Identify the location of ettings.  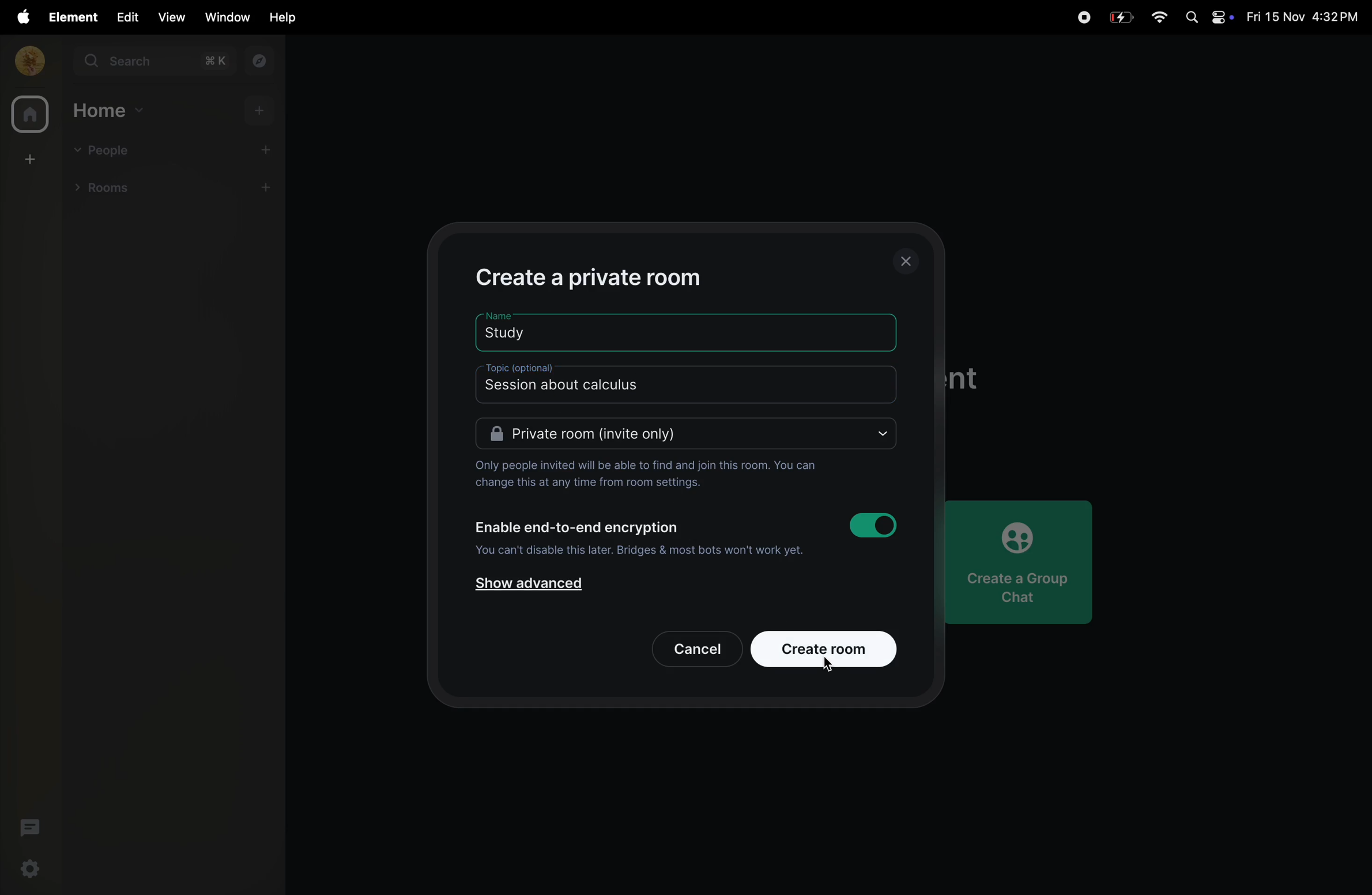
(31, 870).